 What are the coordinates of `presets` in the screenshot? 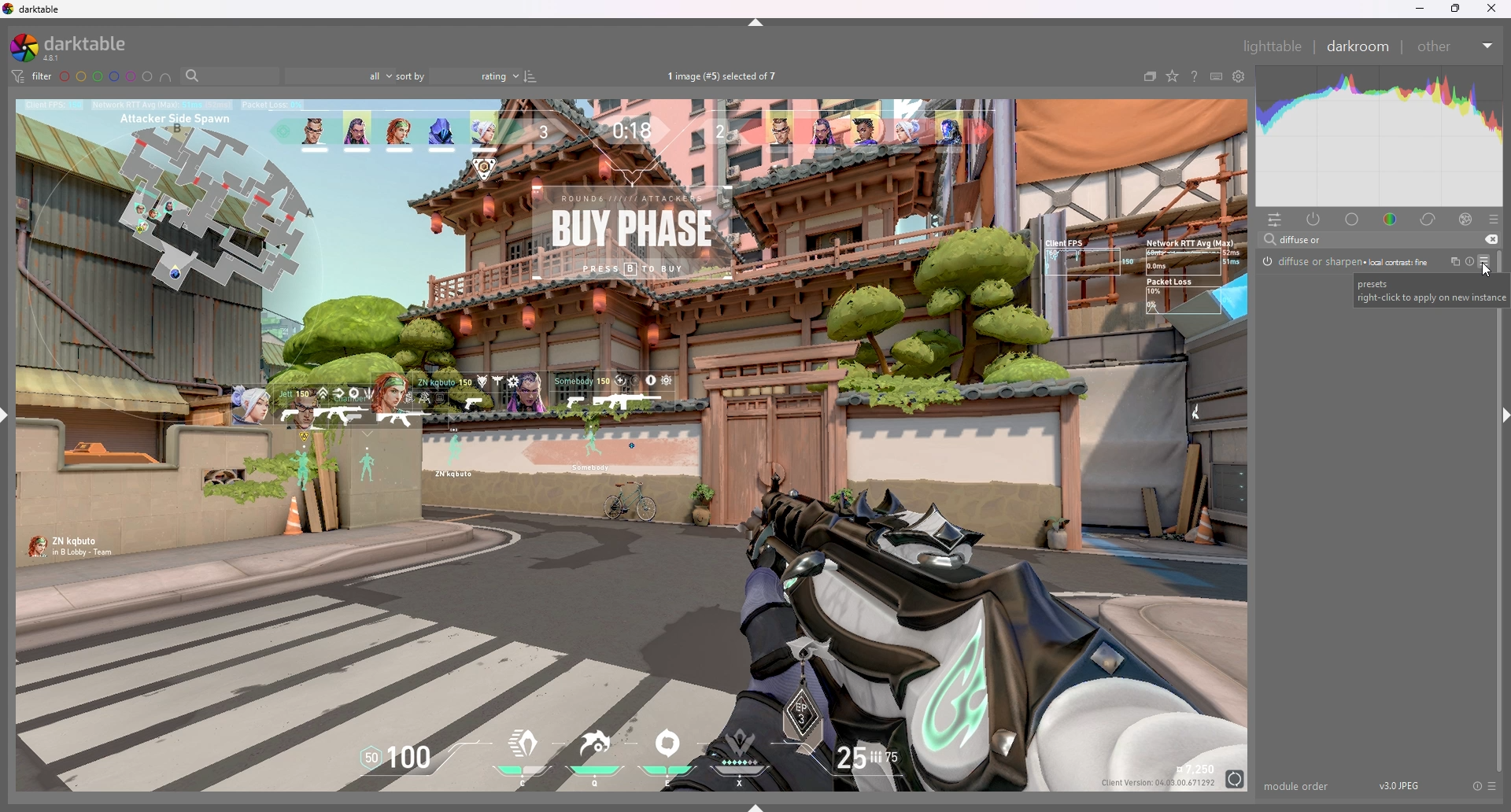 It's located at (1483, 261).